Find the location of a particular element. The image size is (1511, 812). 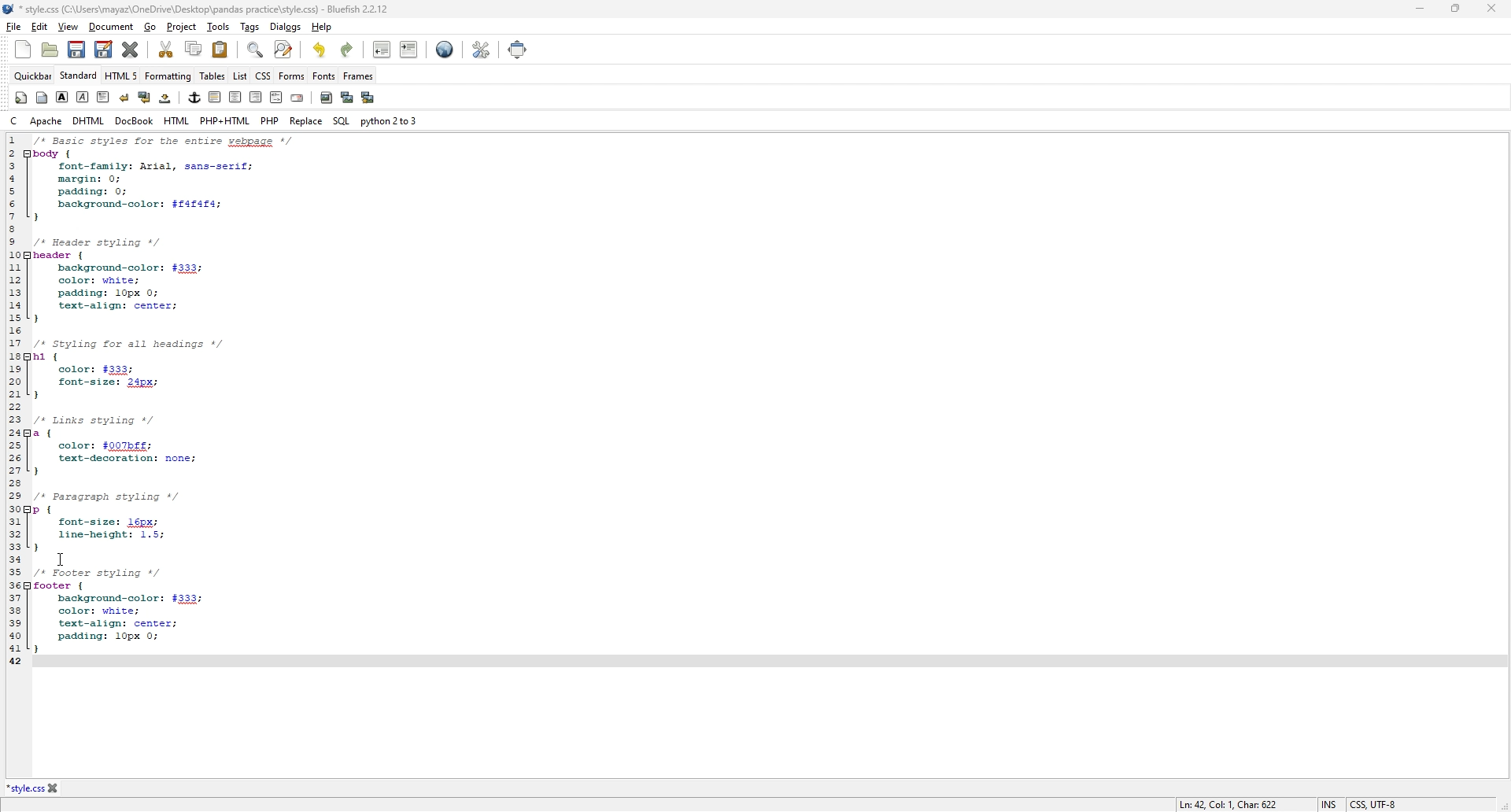

project is located at coordinates (183, 26).